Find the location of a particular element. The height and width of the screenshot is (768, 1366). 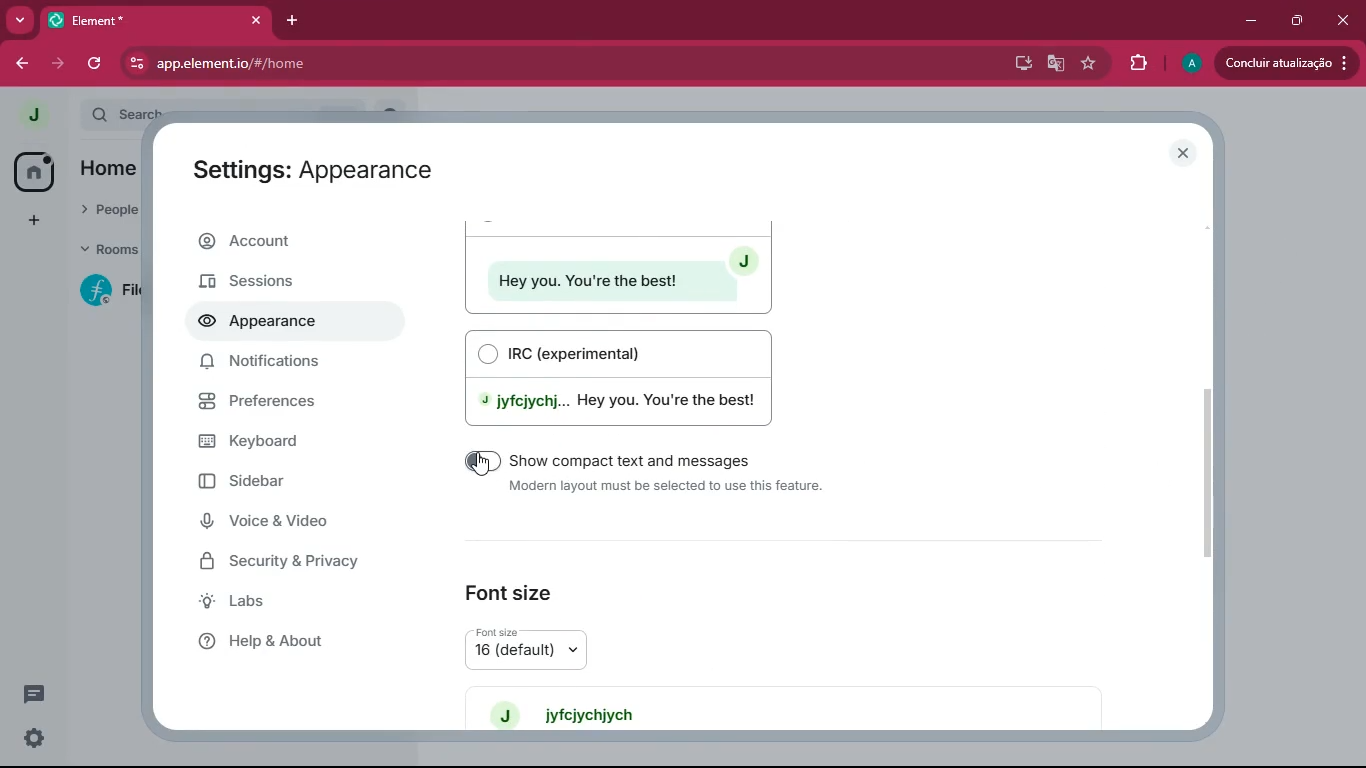

appearance is located at coordinates (265, 324).